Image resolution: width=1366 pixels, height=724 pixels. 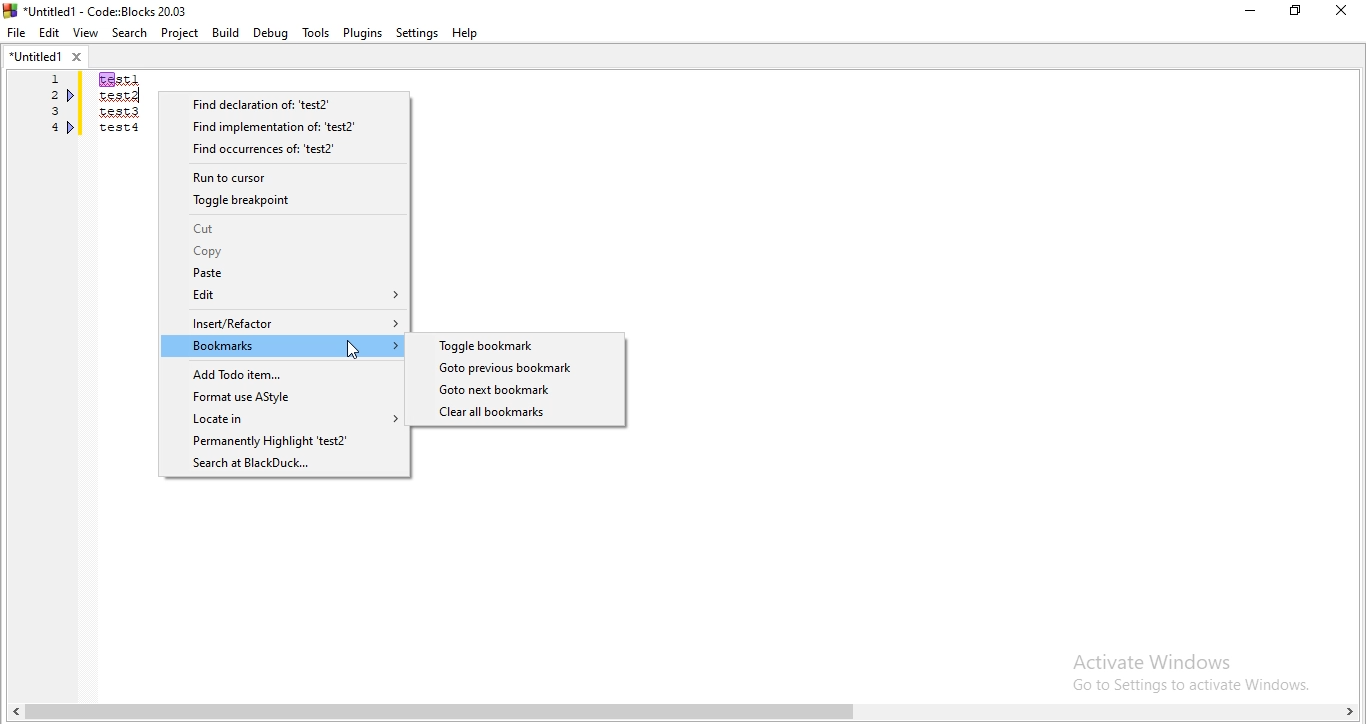 What do you see at coordinates (467, 33) in the screenshot?
I see `help` at bounding box center [467, 33].